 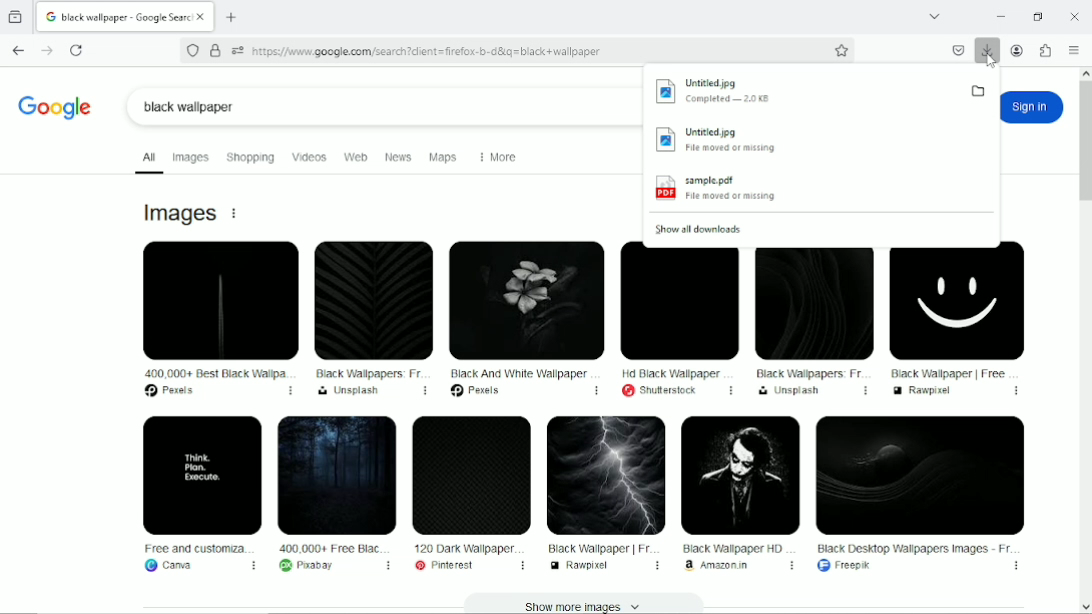 I want to click on 400,000+ Free Blac..., so click(x=333, y=496).